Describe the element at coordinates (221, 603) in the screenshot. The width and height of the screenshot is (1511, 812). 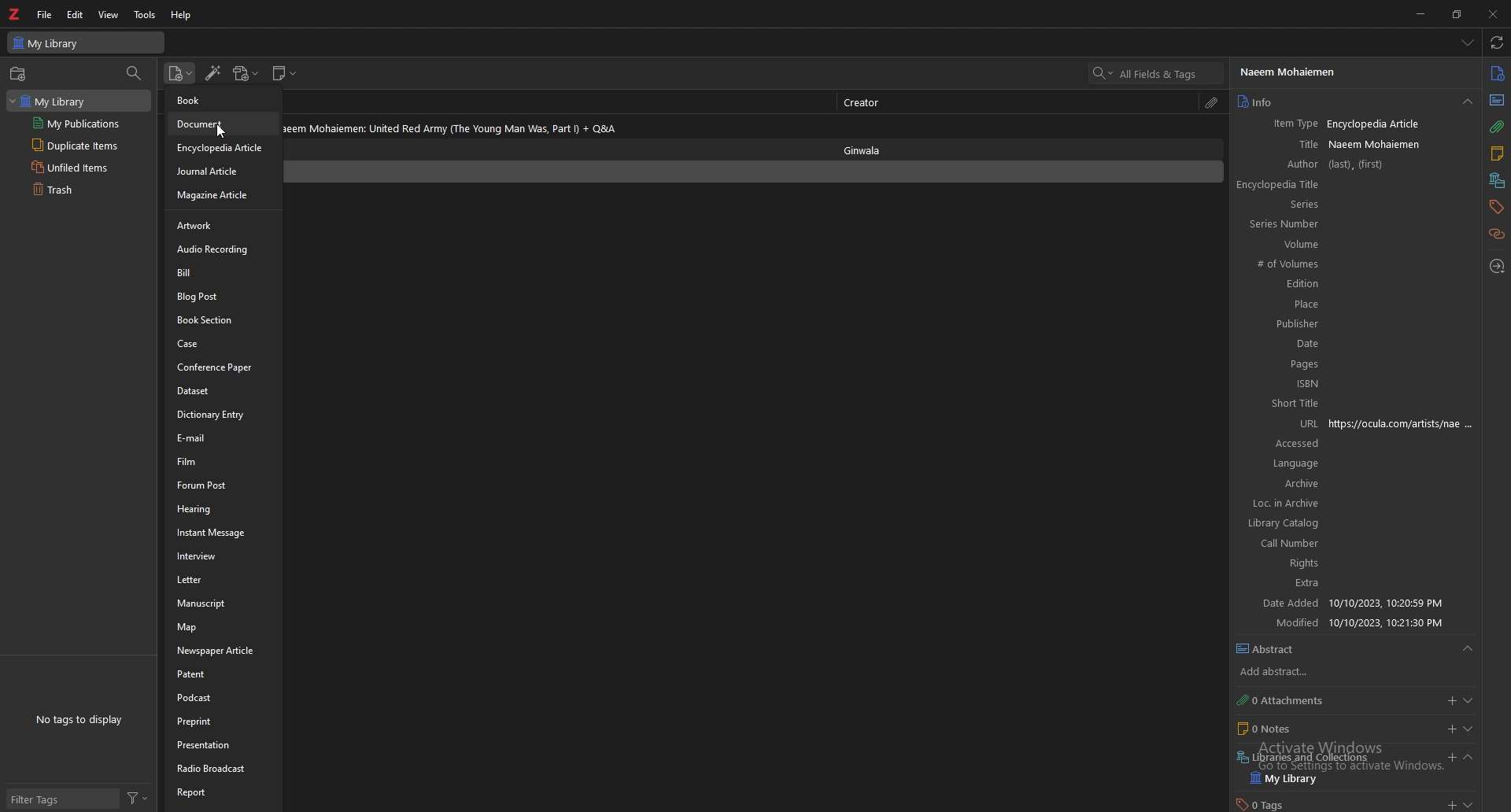
I see `manuscript` at that location.